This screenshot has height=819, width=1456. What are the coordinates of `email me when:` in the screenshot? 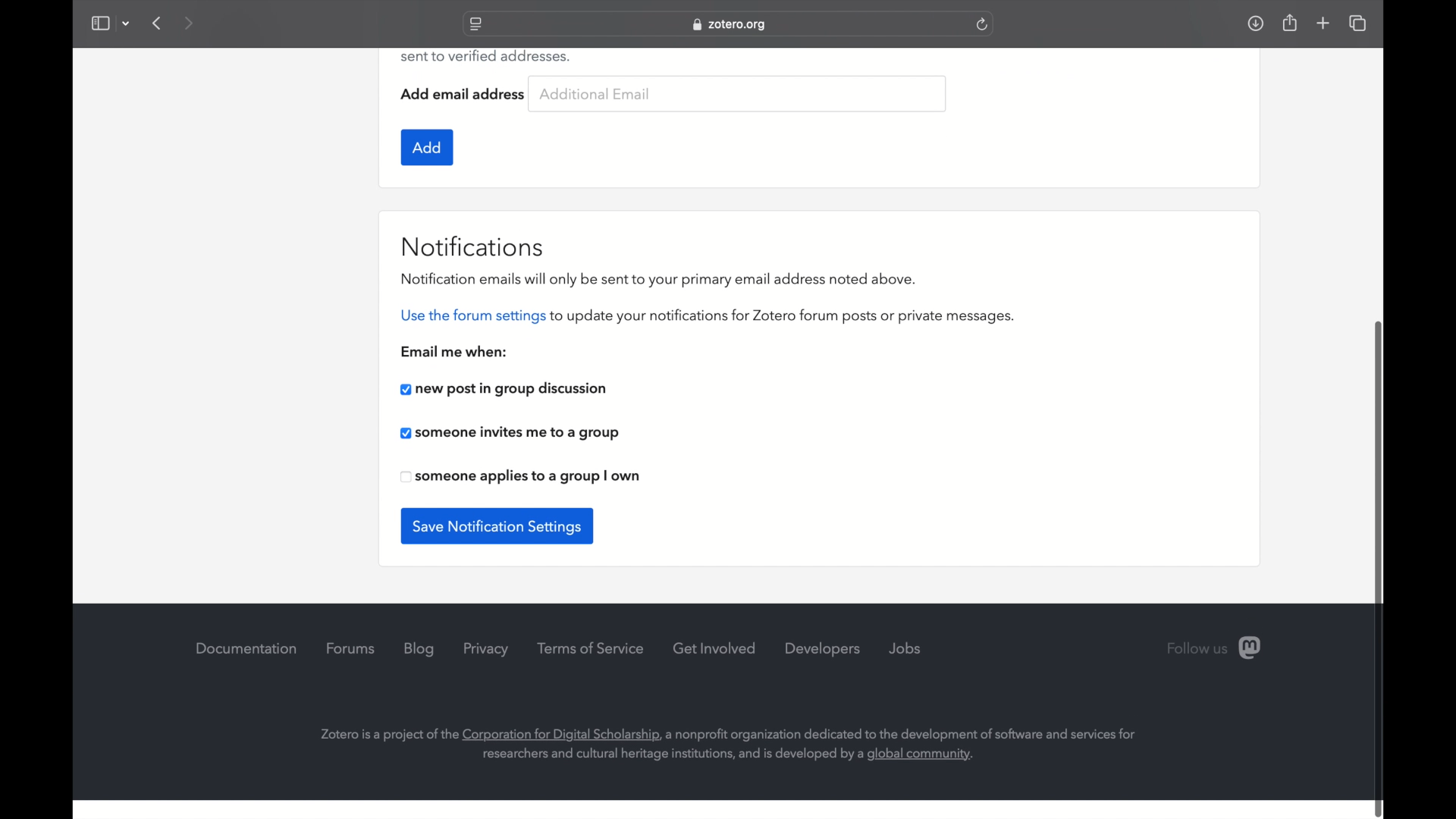 It's located at (458, 352).